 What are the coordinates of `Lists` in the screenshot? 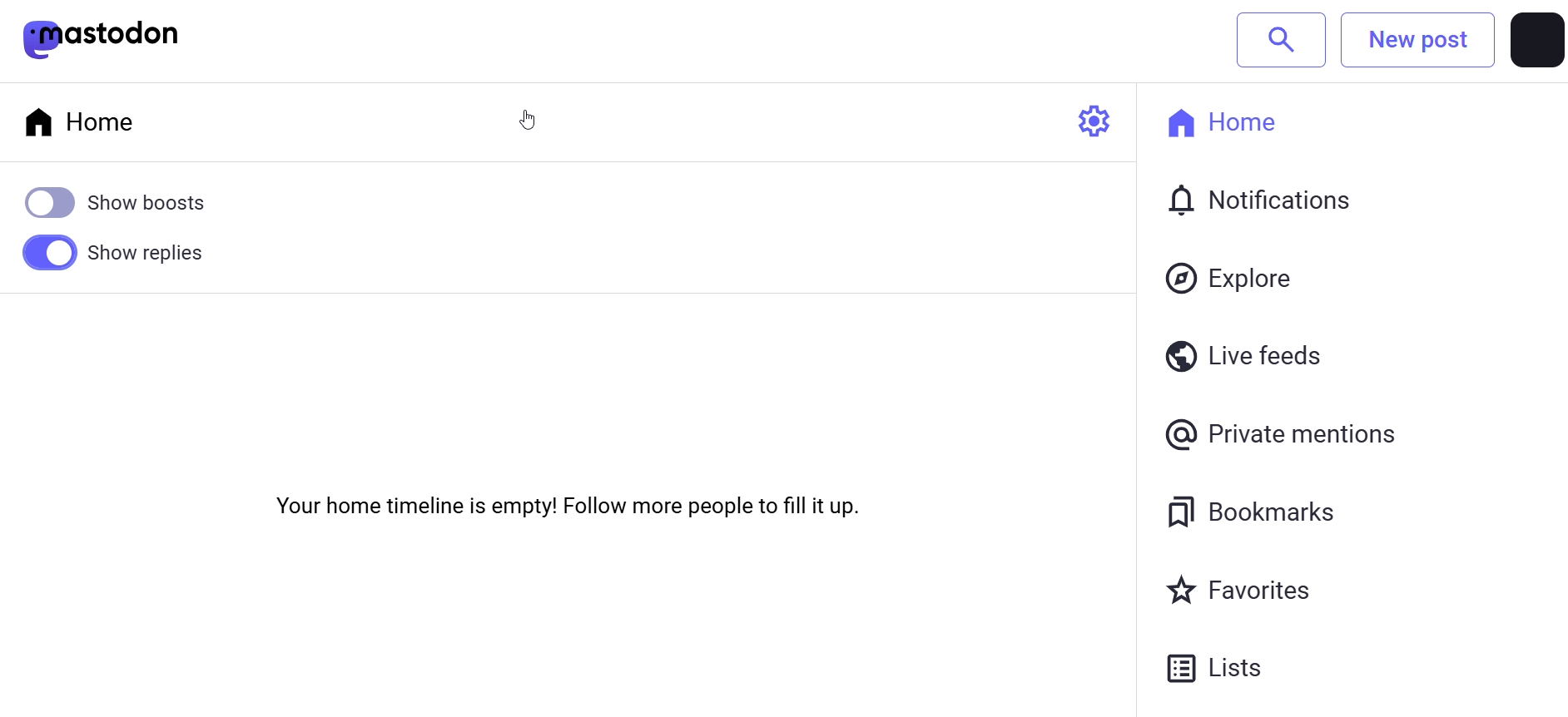 It's located at (1231, 670).